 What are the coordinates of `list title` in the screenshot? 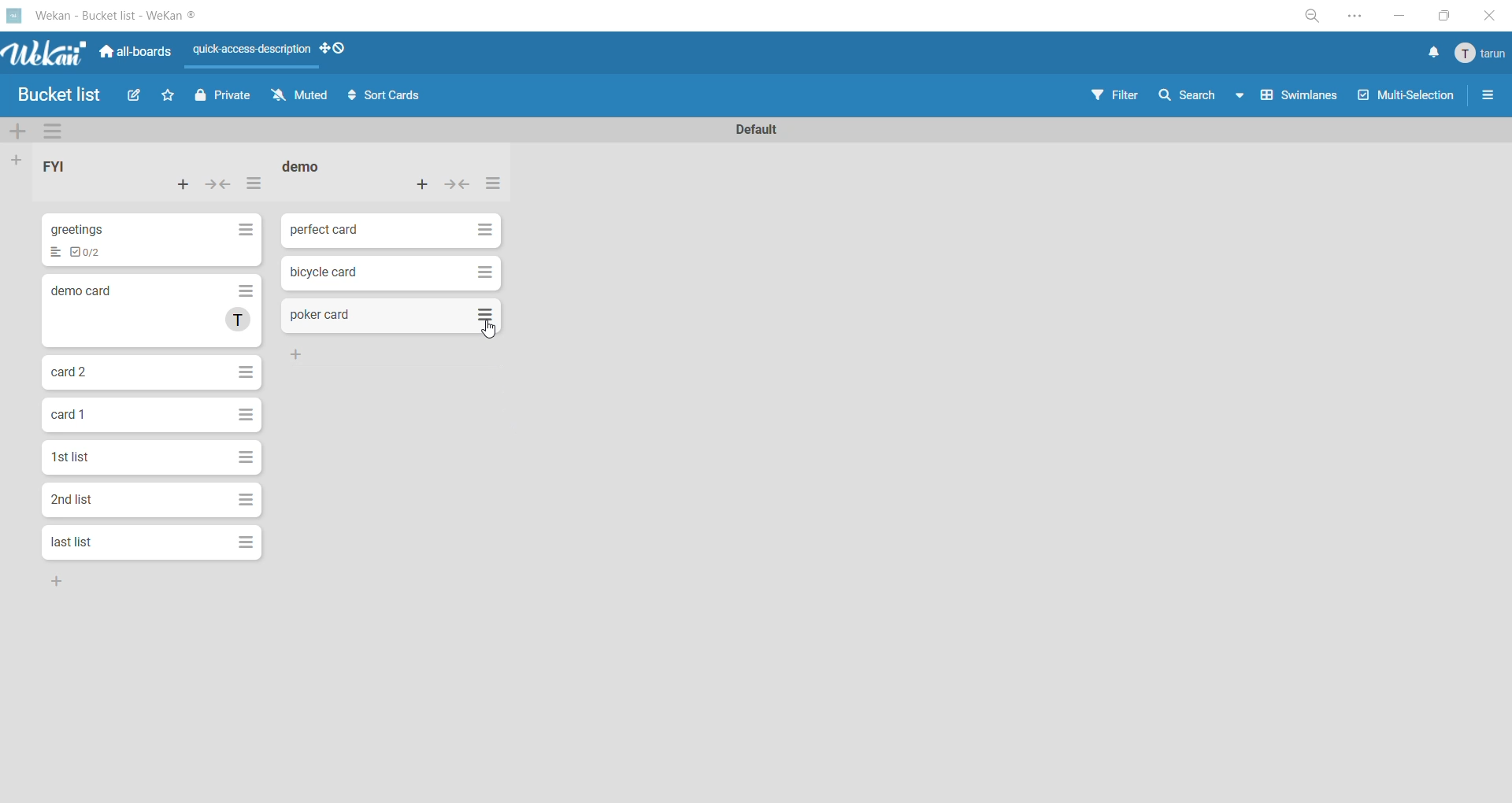 It's located at (66, 169).